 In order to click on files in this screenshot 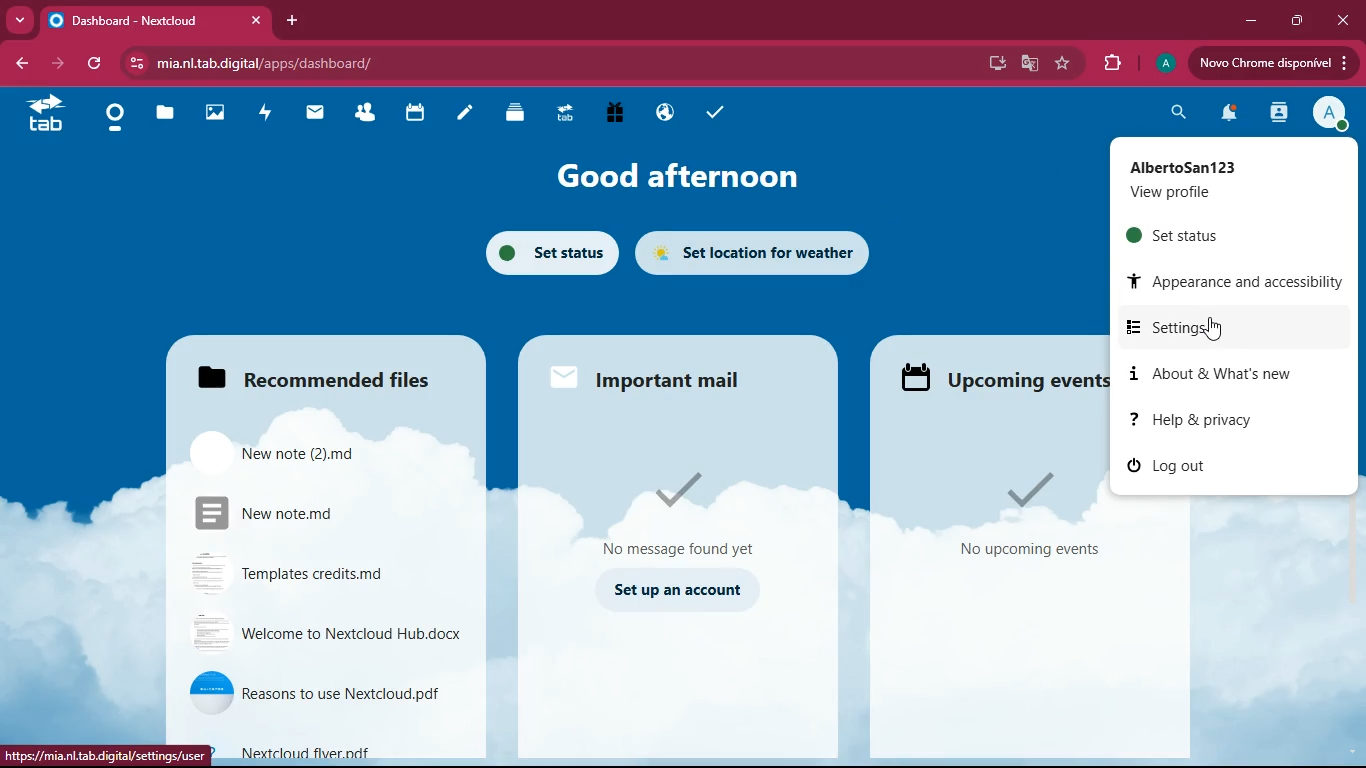, I will do `click(164, 115)`.